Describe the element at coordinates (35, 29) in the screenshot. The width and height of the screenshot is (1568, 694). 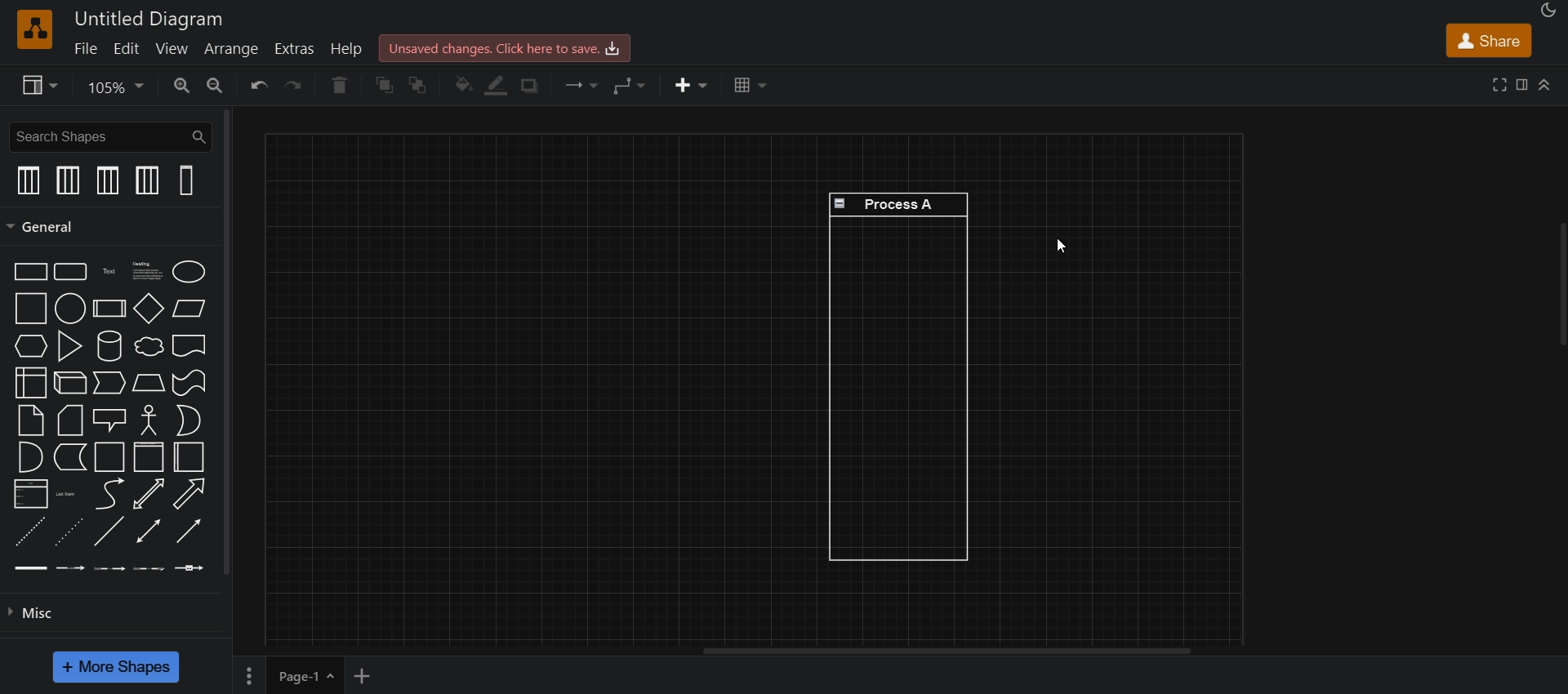
I see `logo` at that location.